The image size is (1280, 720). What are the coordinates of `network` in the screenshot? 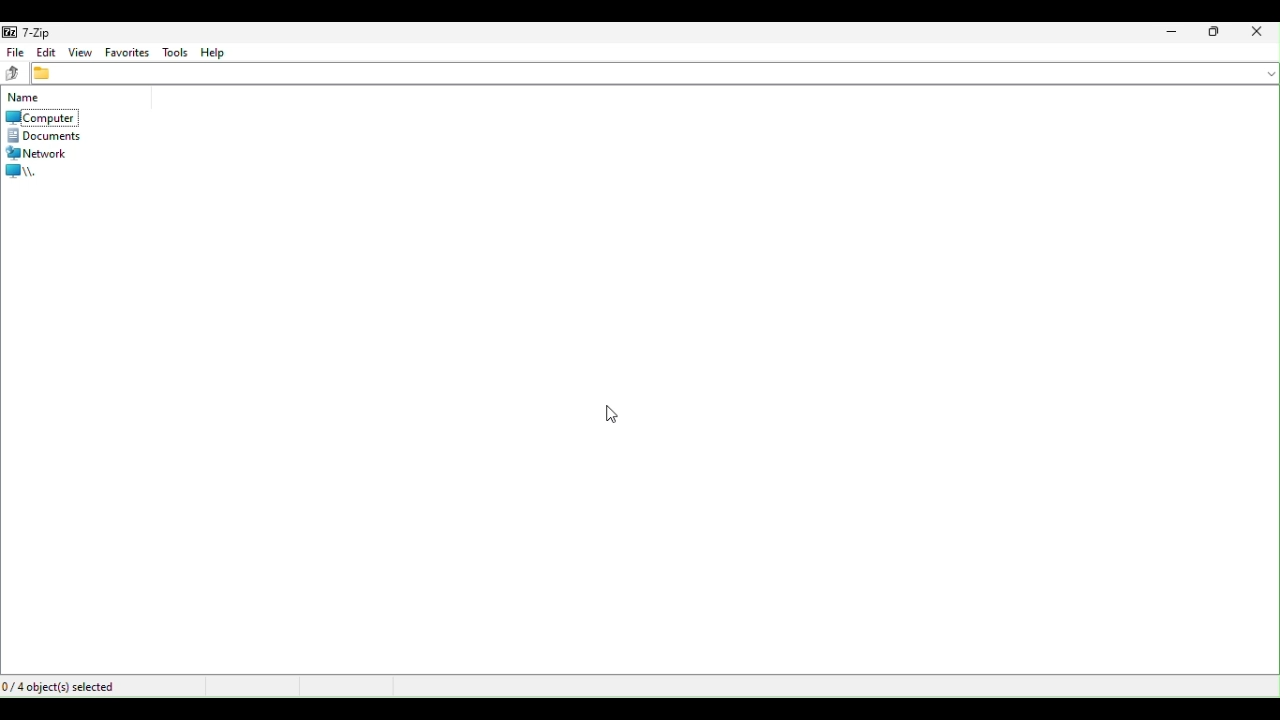 It's located at (42, 154).